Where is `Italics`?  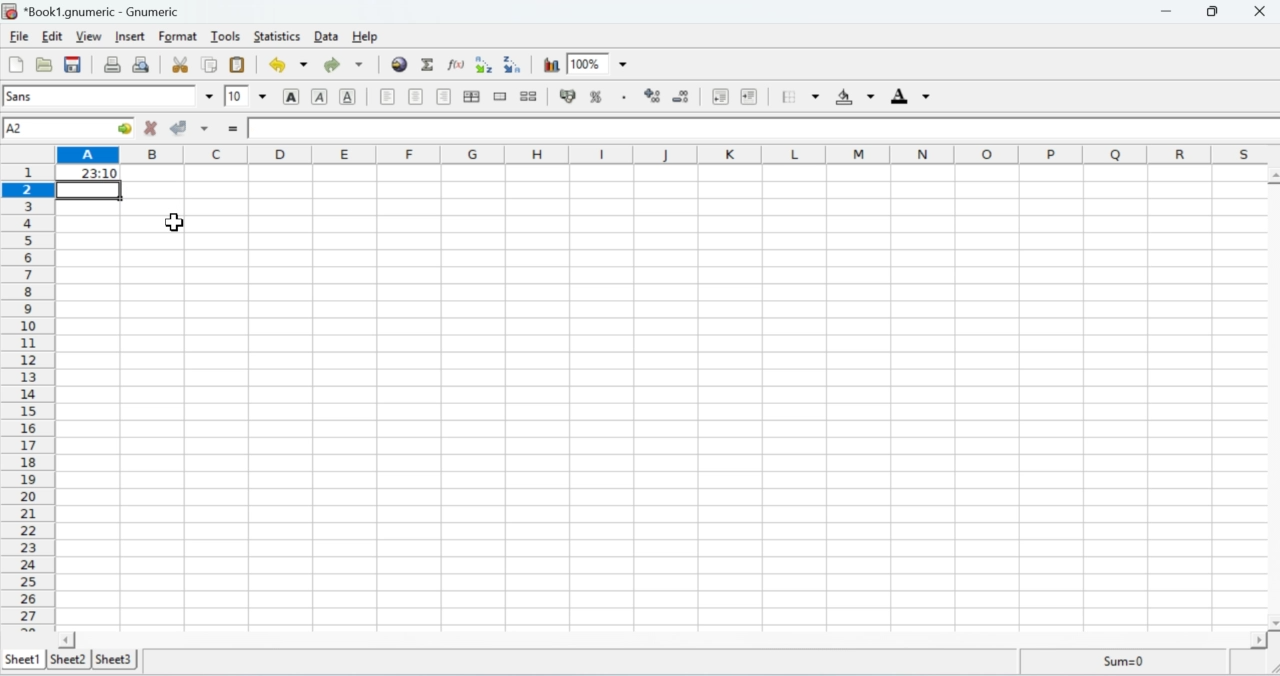
Italics is located at coordinates (320, 97).